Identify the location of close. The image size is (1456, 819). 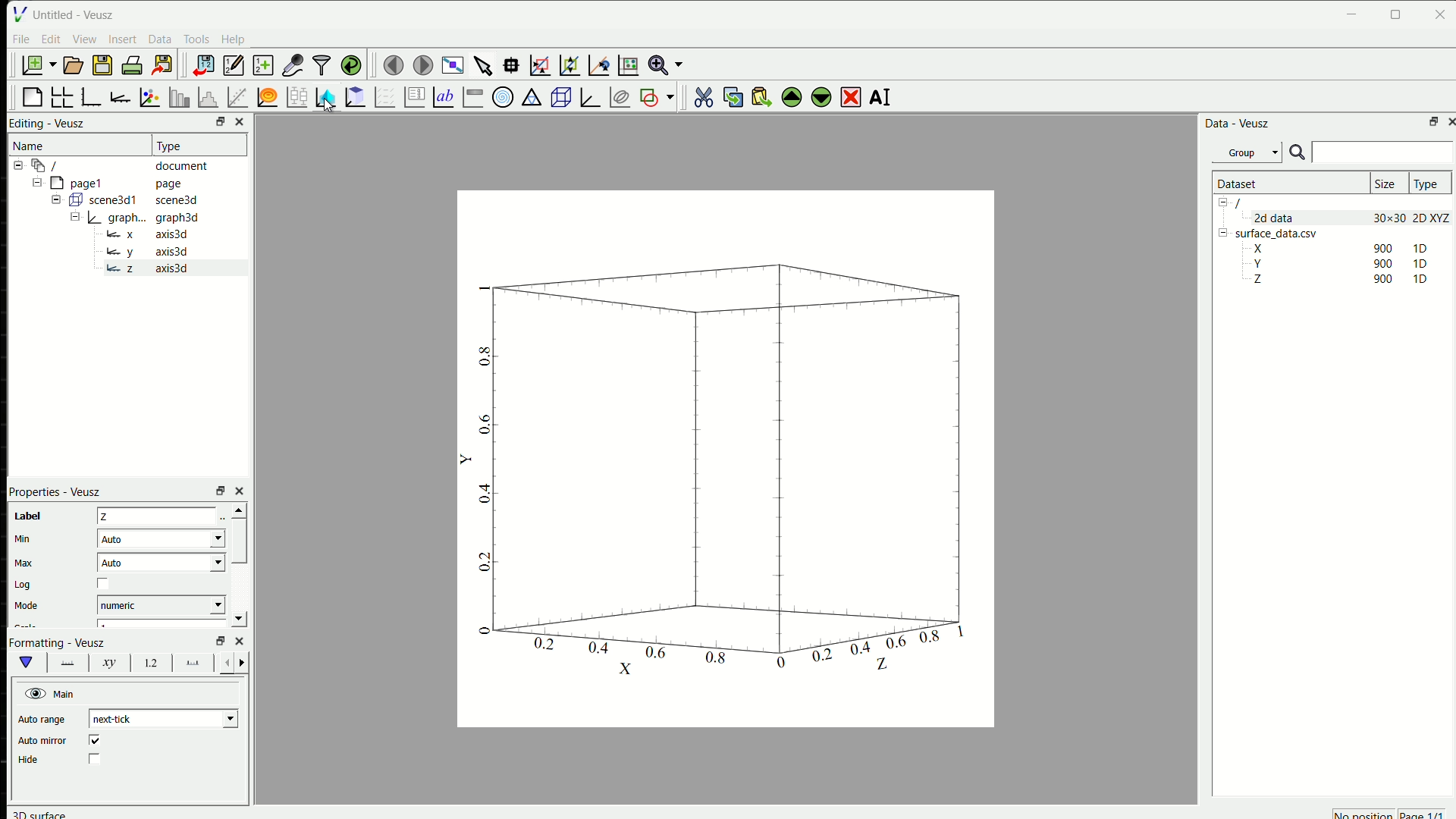
(240, 491).